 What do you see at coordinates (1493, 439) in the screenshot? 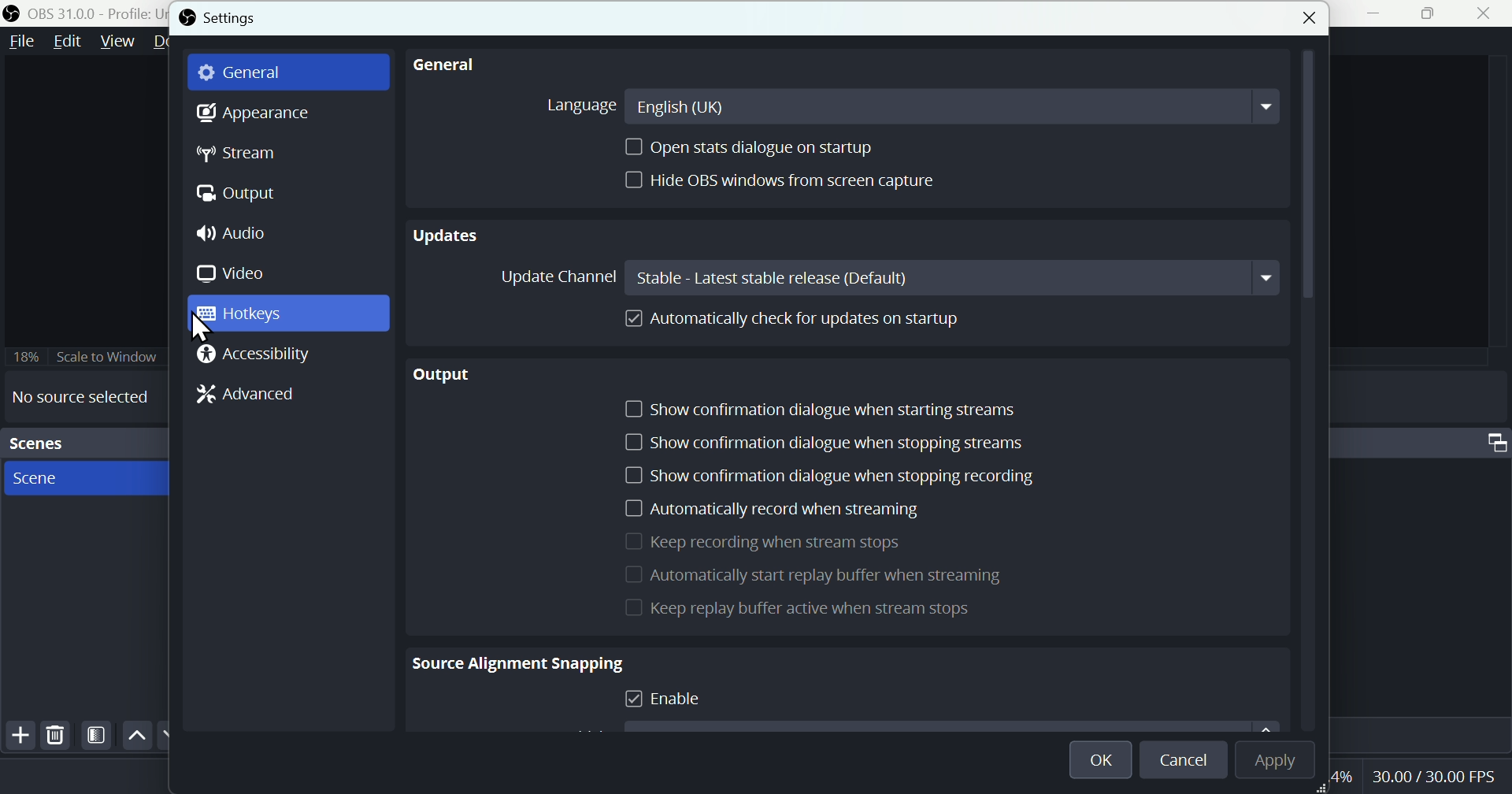
I see `Audio mixer` at bounding box center [1493, 439].